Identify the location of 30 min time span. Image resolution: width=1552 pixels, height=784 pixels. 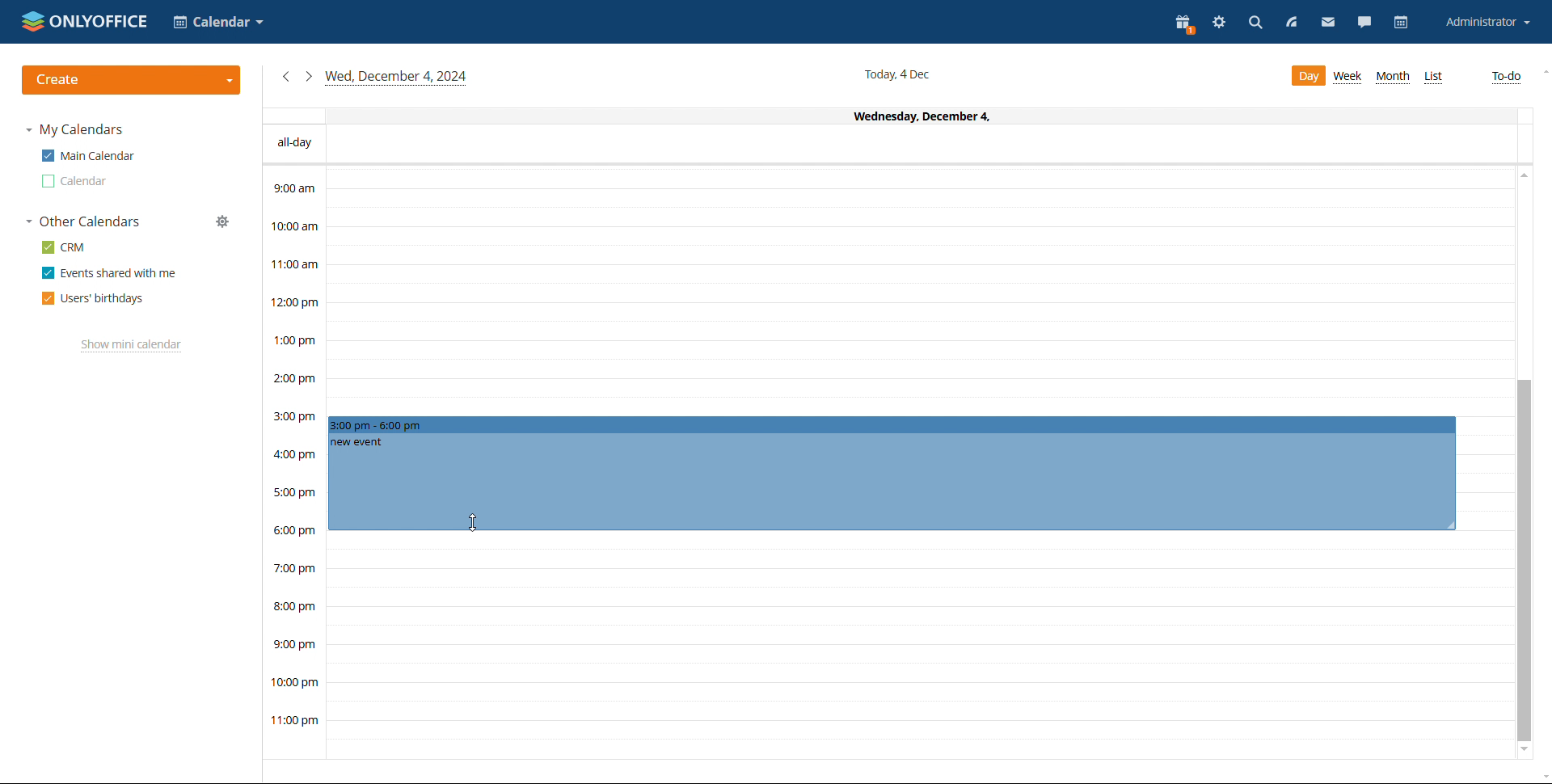
(919, 313).